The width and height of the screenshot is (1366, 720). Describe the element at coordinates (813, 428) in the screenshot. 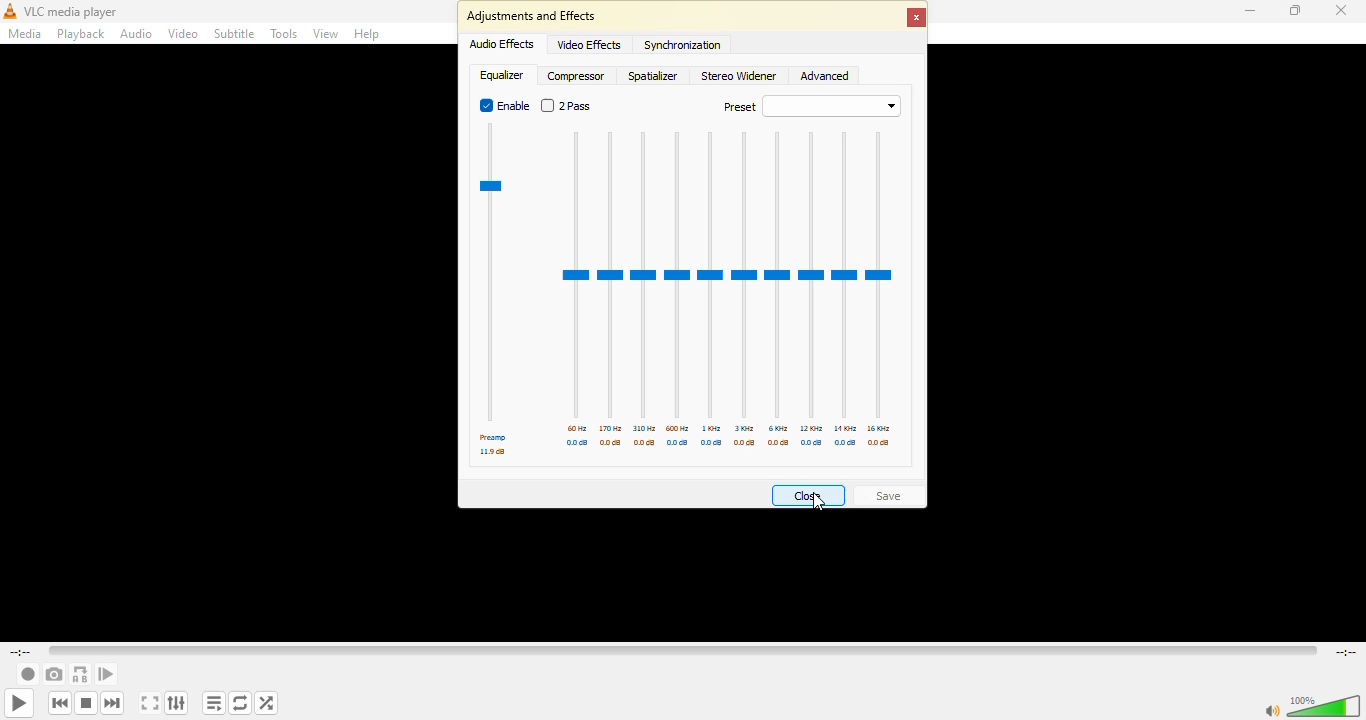

I see `12 khz` at that location.